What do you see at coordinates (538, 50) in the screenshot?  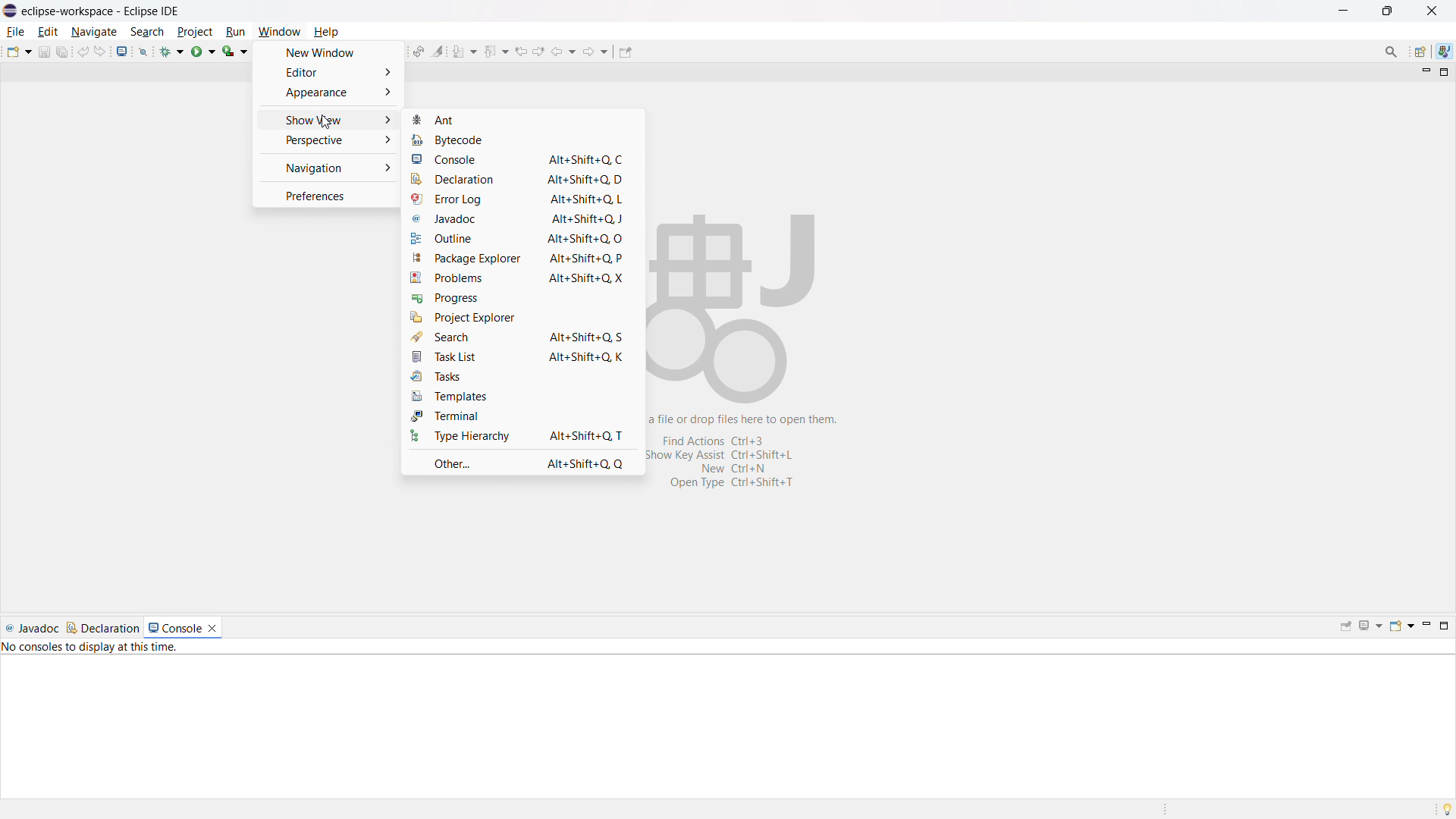 I see `view next location` at bounding box center [538, 50].